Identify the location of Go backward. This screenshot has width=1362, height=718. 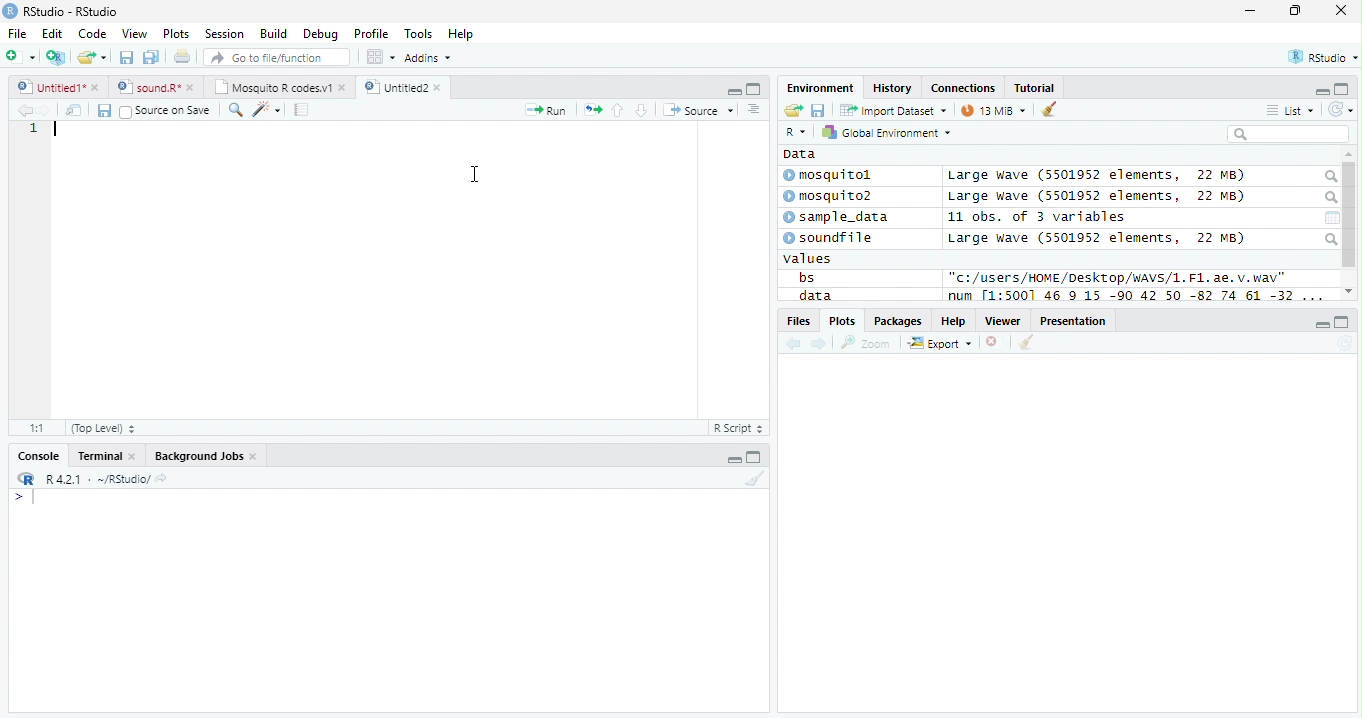
(23, 109).